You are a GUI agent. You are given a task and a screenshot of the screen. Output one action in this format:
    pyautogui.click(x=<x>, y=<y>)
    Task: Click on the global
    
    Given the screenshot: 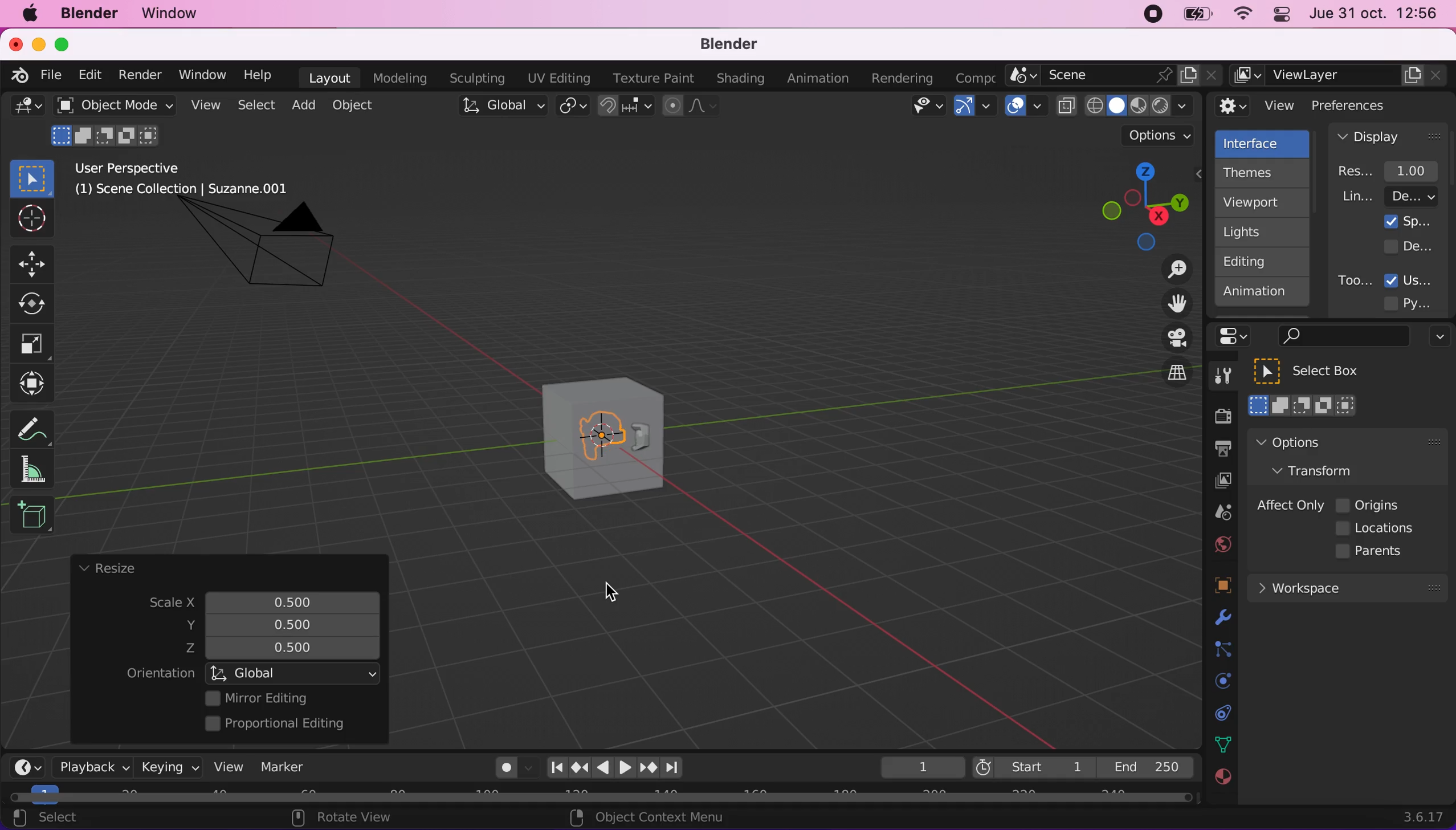 What is the action you would take?
    pyautogui.click(x=296, y=673)
    